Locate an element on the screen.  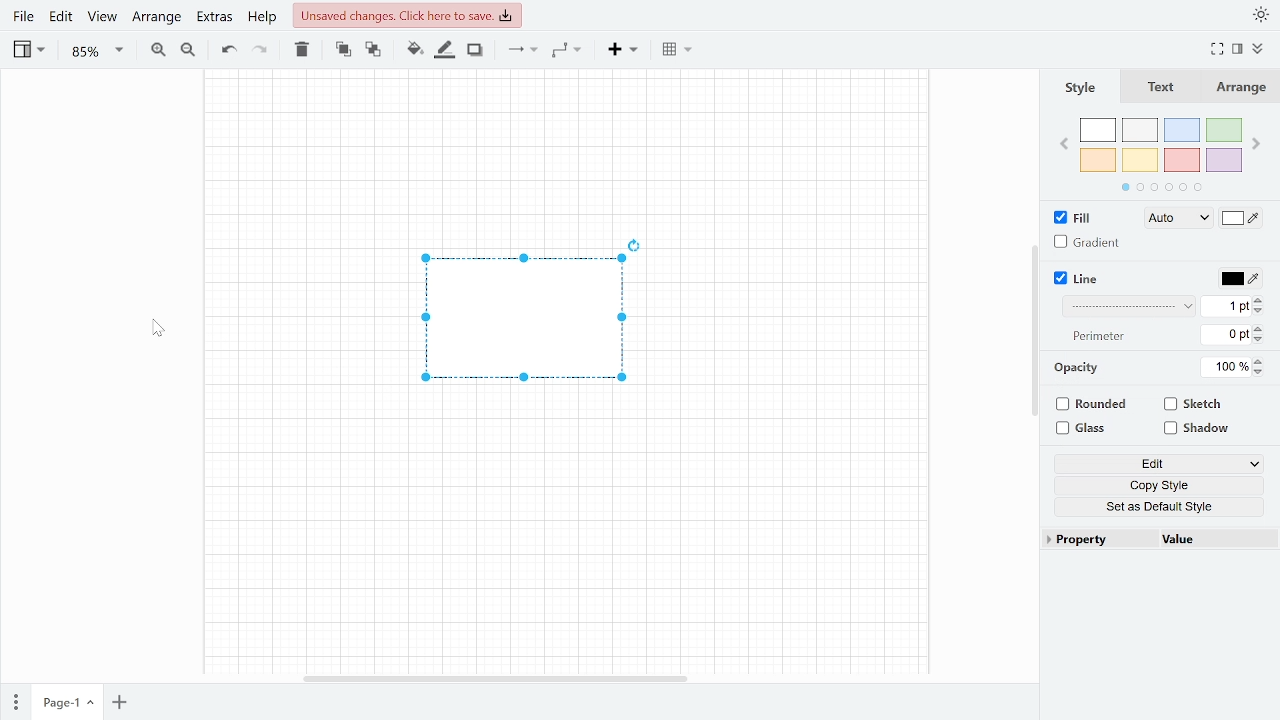
Add page is located at coordinates (118, 704).